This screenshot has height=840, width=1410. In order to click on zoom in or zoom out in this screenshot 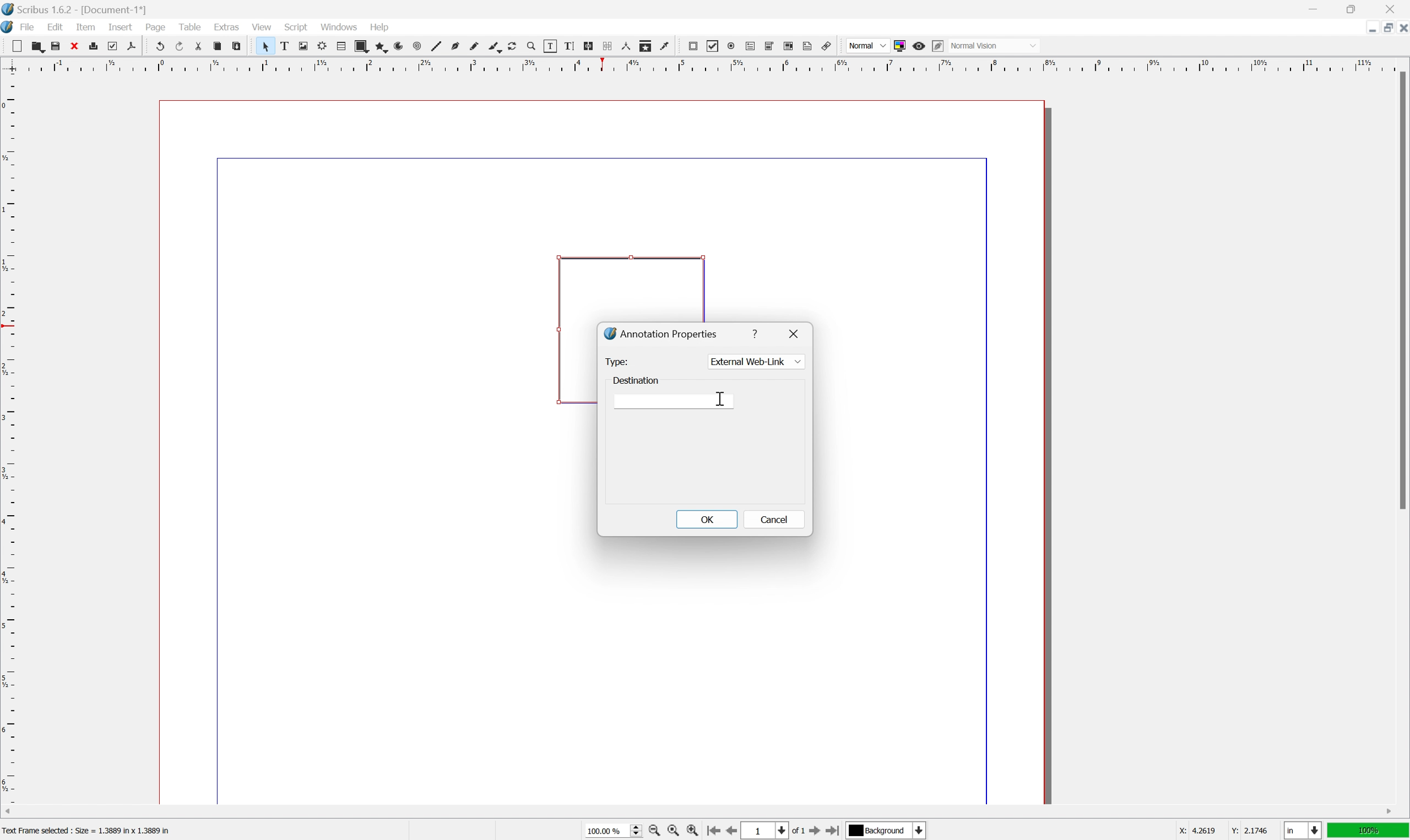, I will do `click(532, 46)`.